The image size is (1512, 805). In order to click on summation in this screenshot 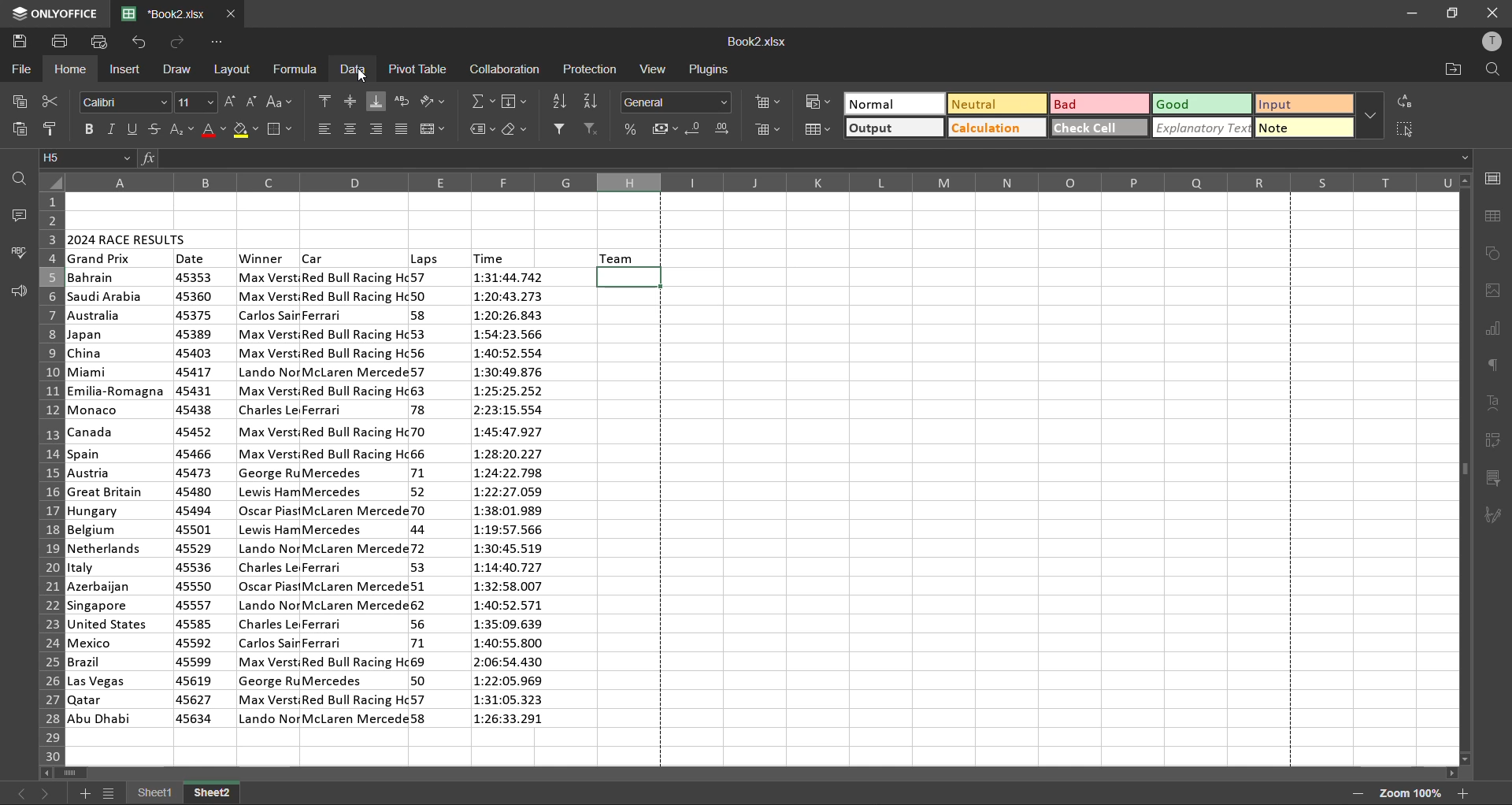, I will do `click(480, 104)`.